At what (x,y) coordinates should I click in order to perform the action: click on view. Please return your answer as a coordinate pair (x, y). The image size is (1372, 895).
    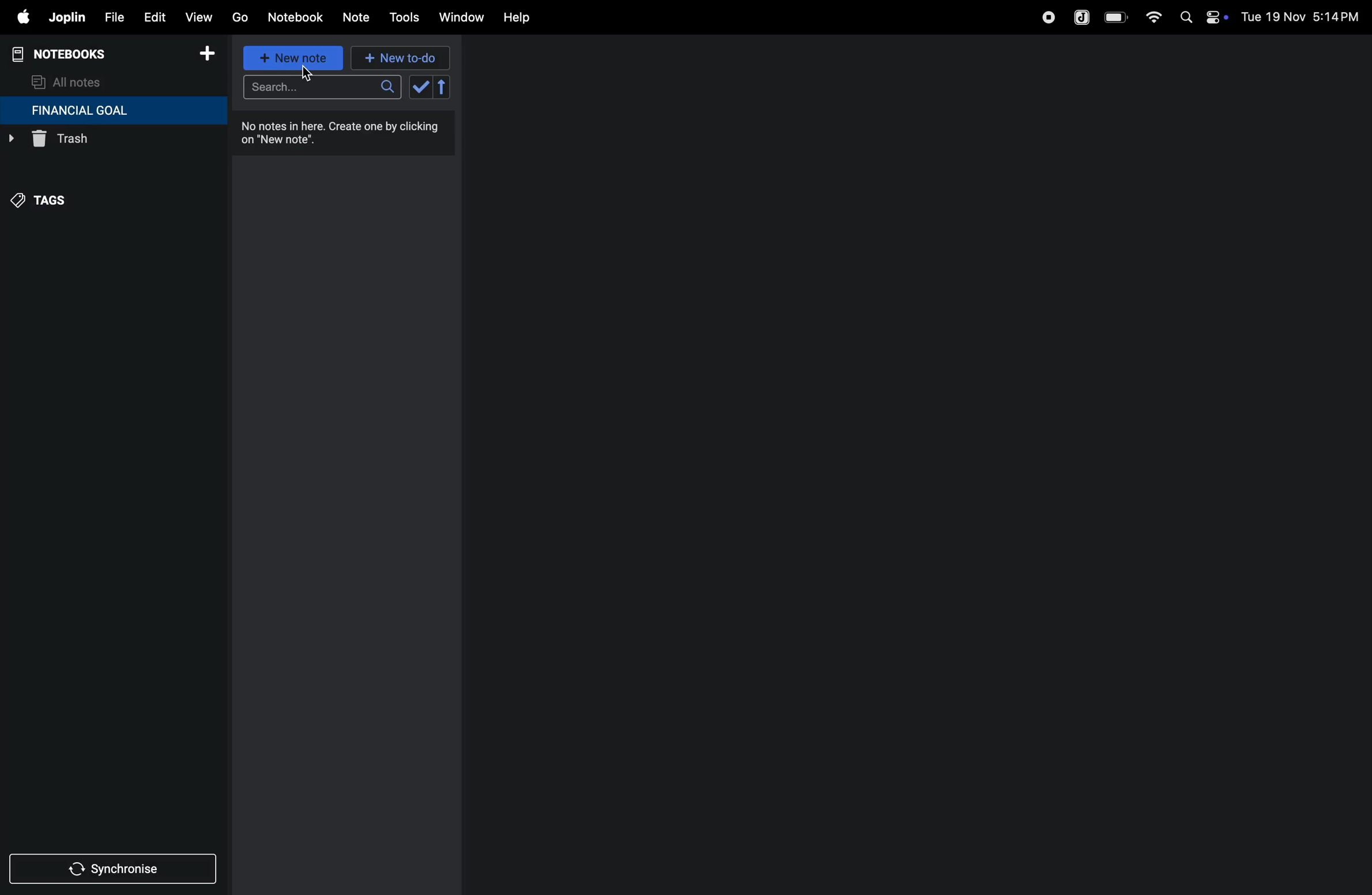
    Looking at the image, I should click on (198, 14).